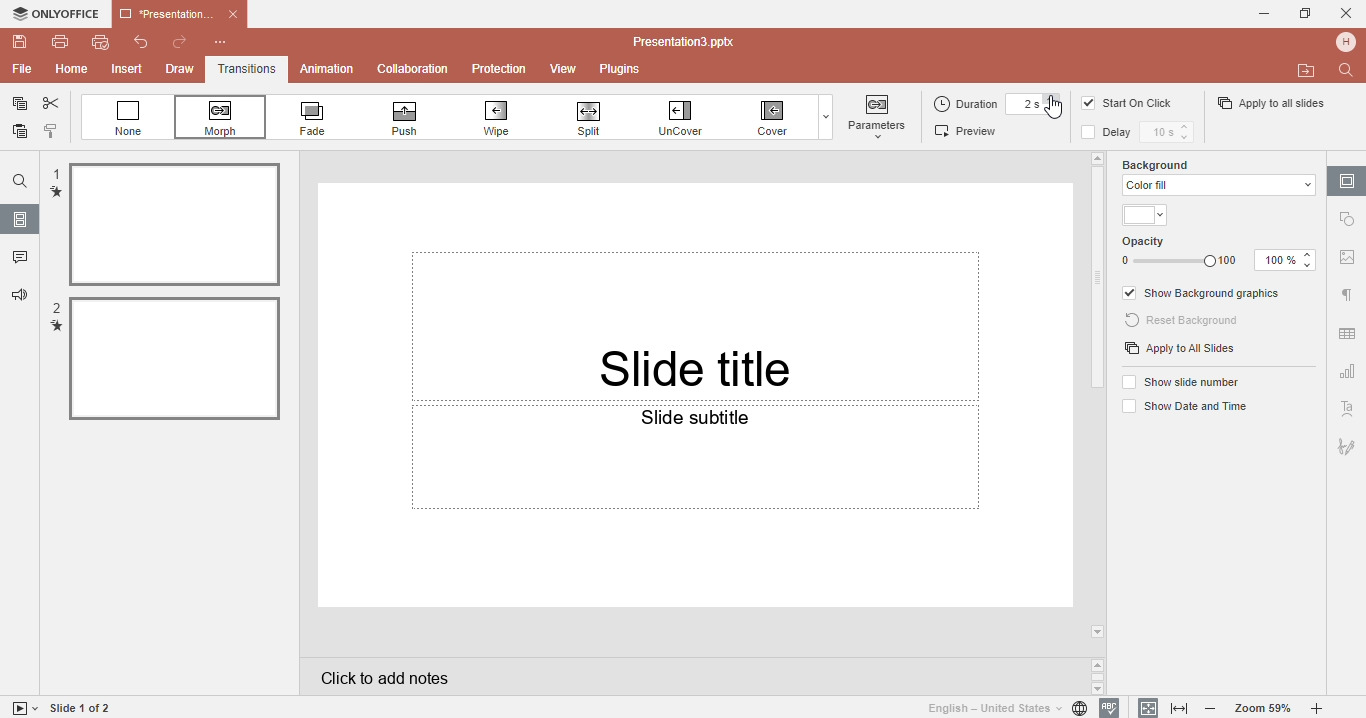 This screenshot has height=718, width=1366. What do you see at coordinates (696, 291) in the screenshot?
I see `slide title` at bounding box center [696, 291].